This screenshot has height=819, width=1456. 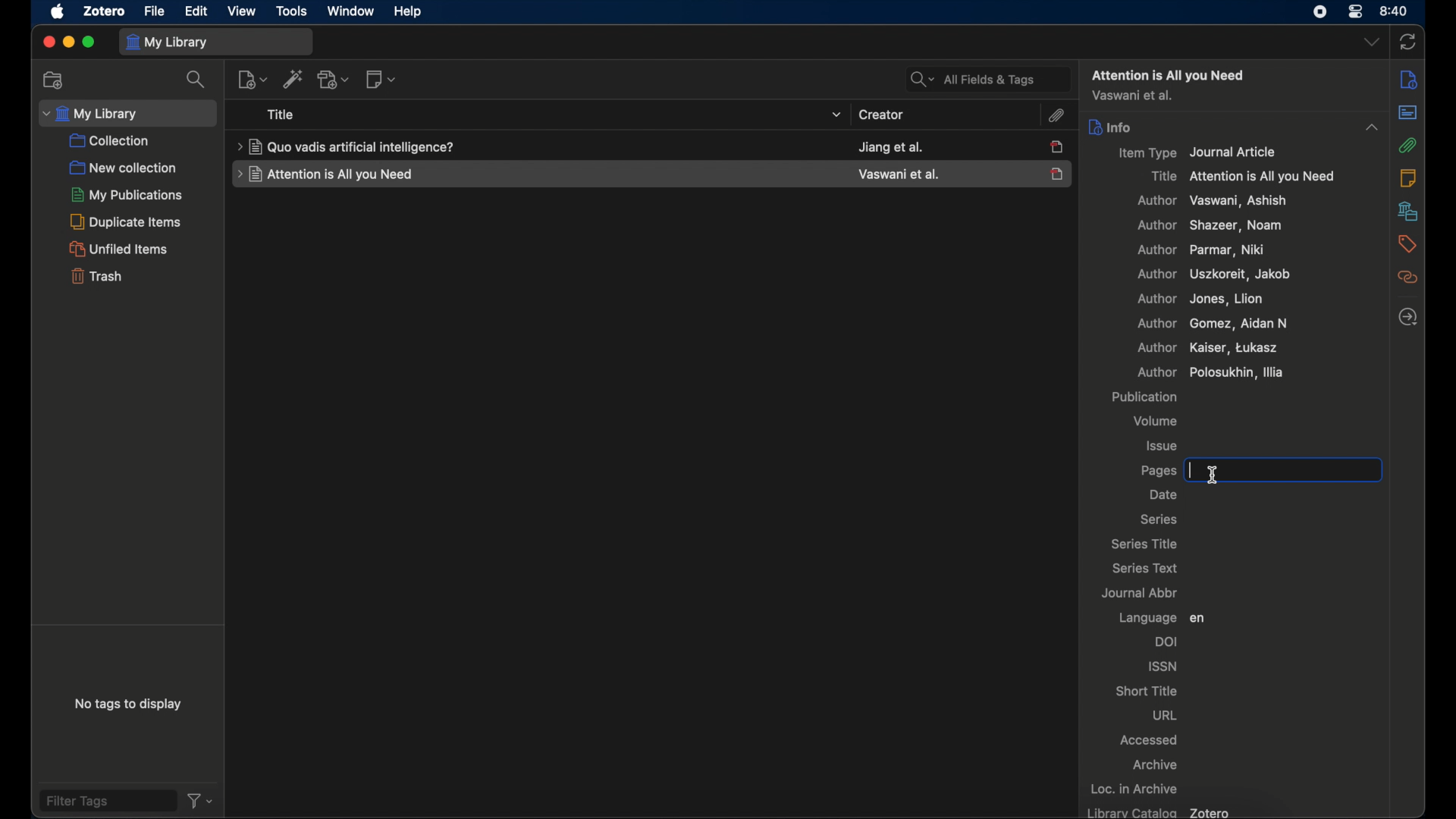 What do you see at coordinates (292, 11) in the screenshot?
I see `tools` at bounding box center [292, 11].